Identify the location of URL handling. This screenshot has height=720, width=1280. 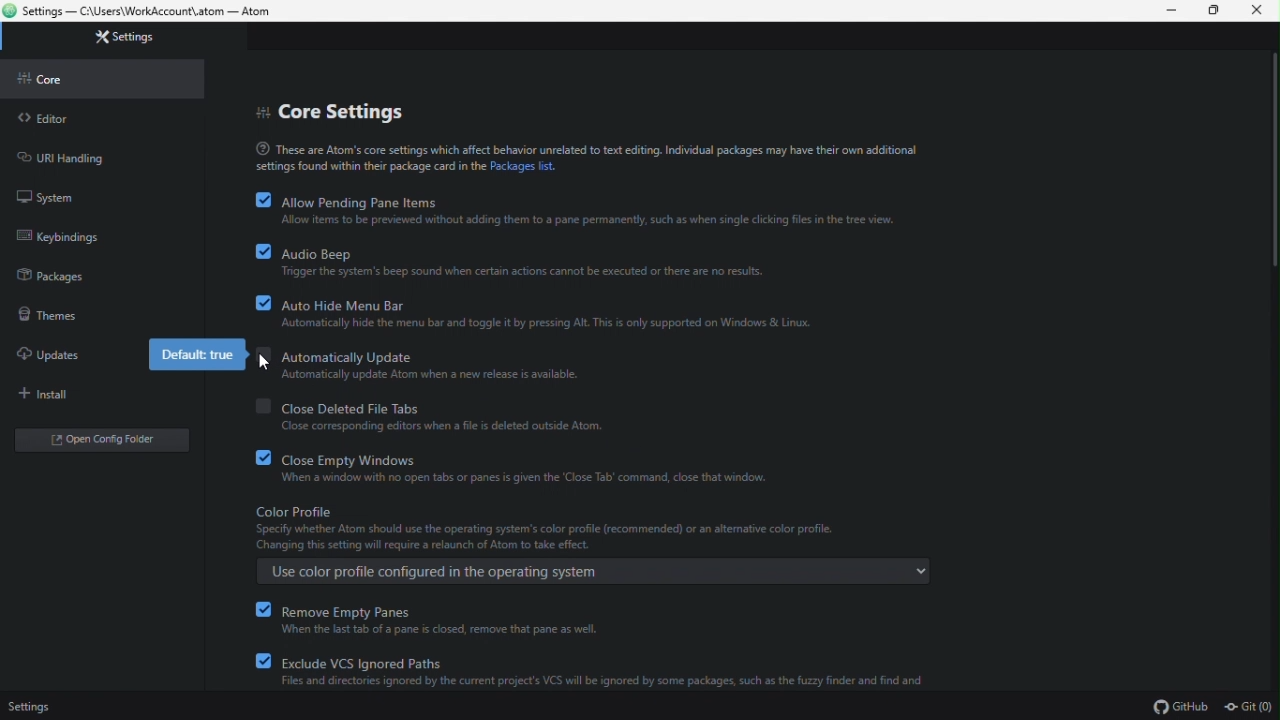
(62, 157).